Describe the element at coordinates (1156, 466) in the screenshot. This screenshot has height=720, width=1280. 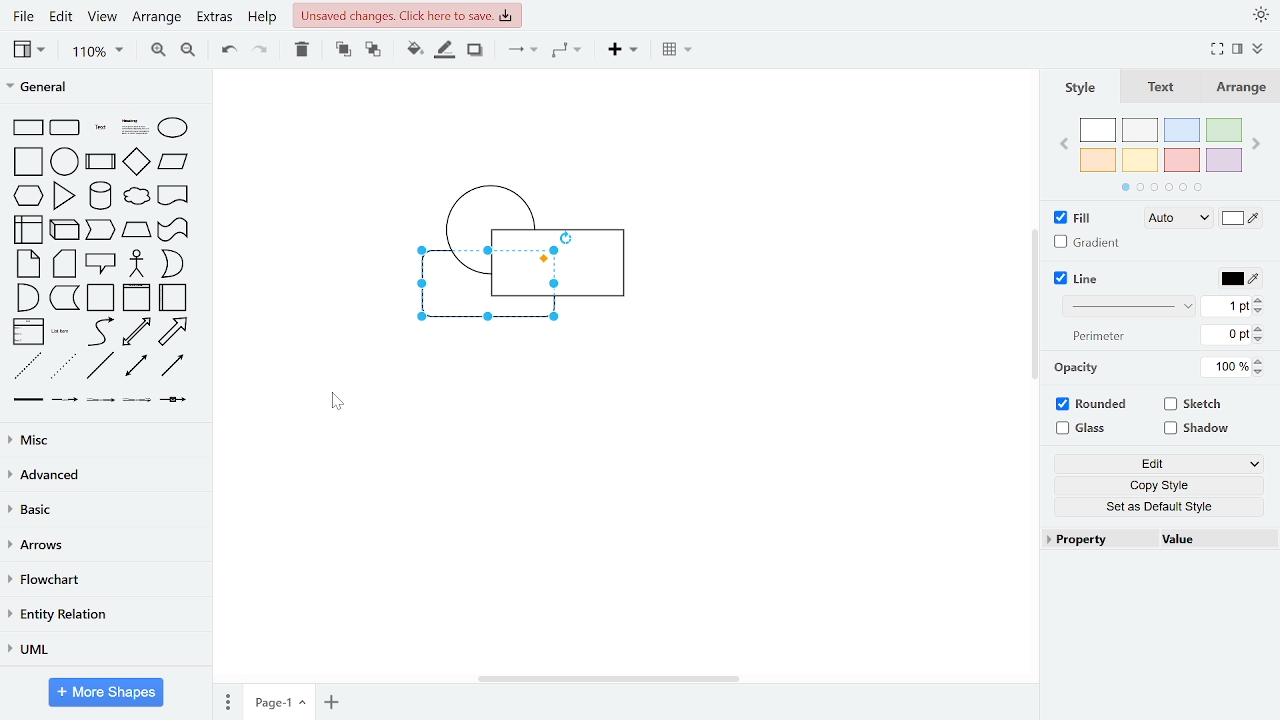
I see `edit` at that location.